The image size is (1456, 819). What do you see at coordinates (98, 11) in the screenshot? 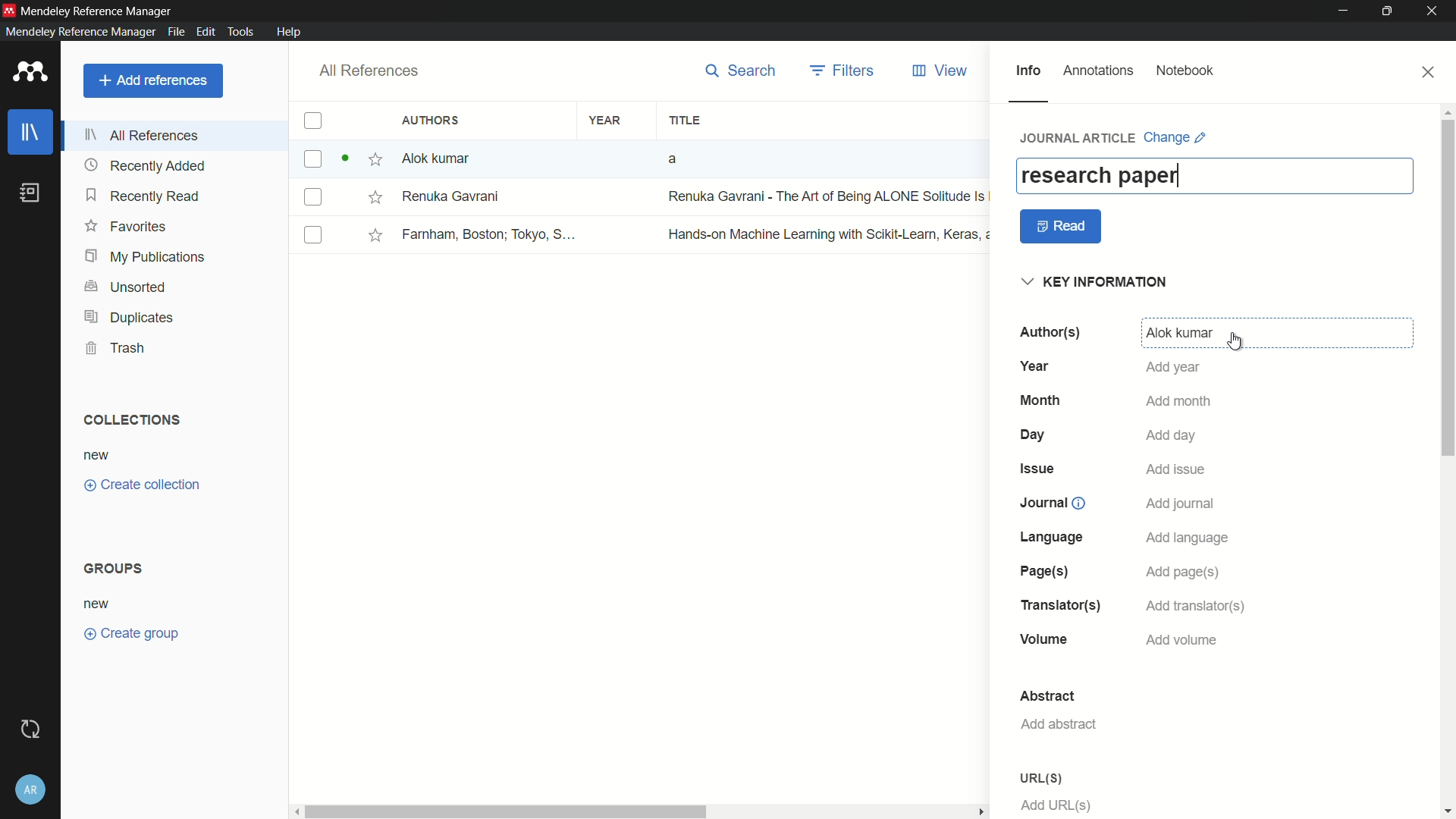
I see `app name` at bounding box center [98, 11].